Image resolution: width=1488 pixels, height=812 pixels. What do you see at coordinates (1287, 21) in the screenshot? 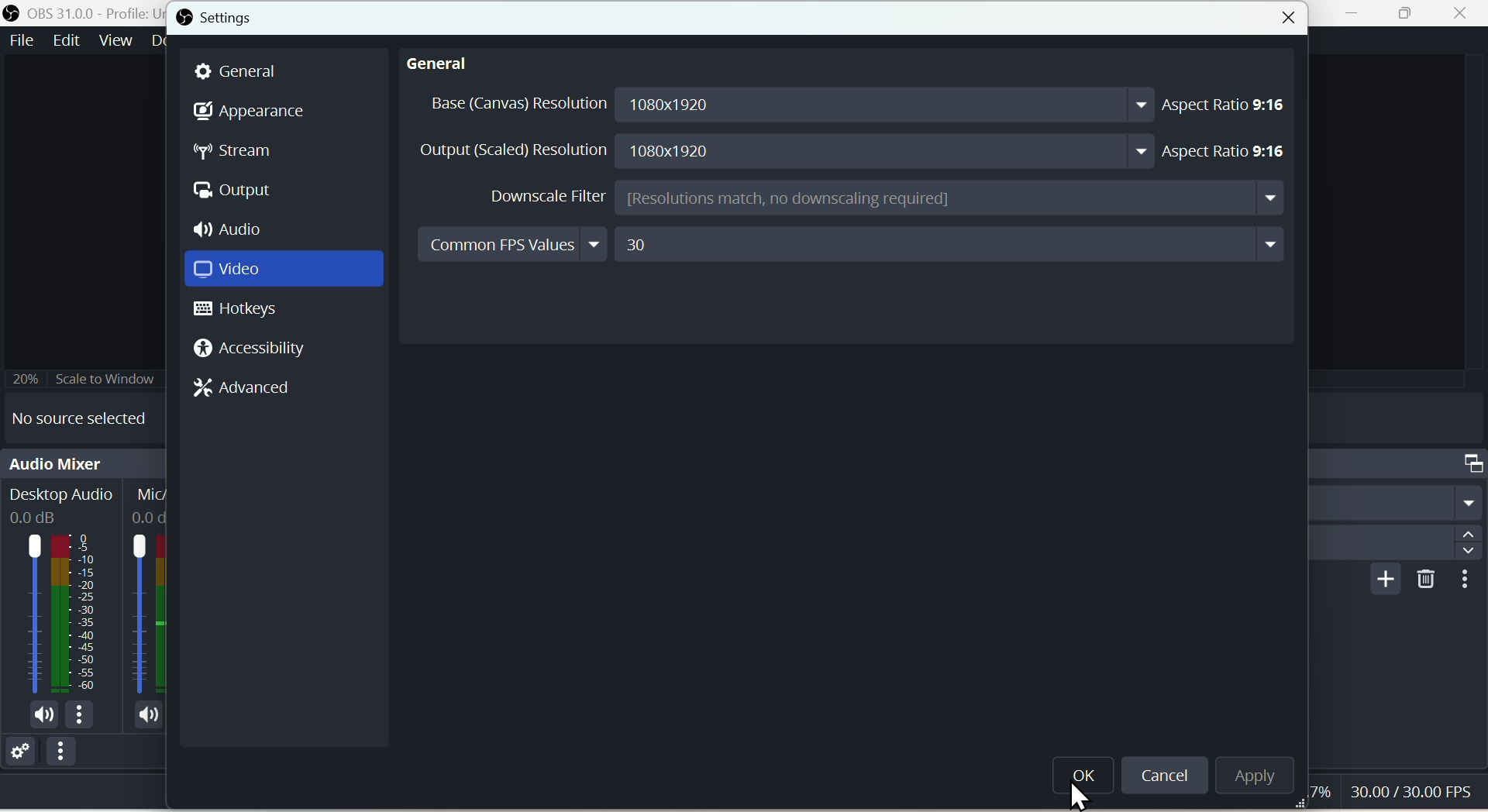
I see `Close` at bounding box center [1287, 21].